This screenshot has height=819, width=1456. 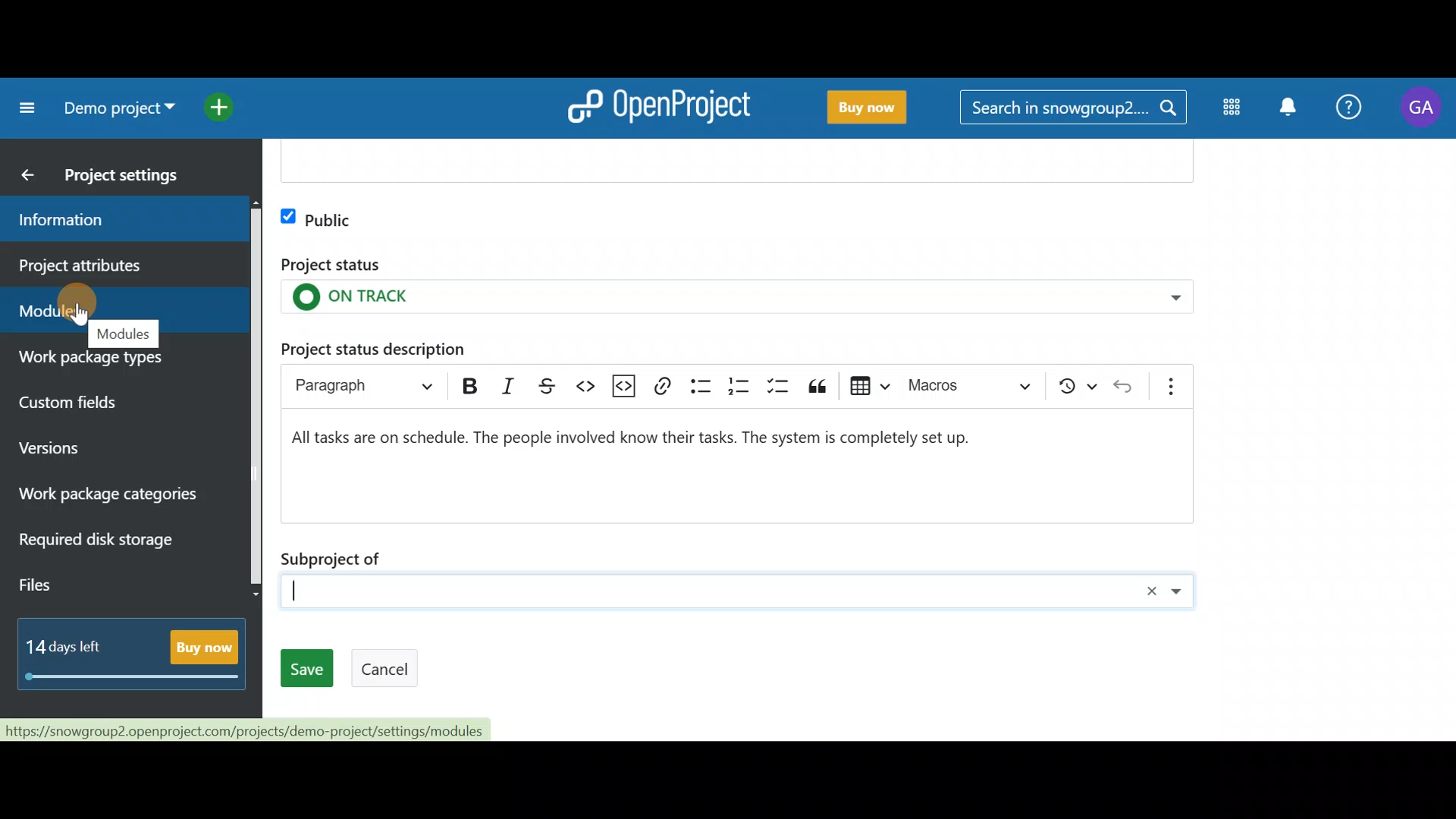 I want to click on Buy now, so click(x=136, y=649).